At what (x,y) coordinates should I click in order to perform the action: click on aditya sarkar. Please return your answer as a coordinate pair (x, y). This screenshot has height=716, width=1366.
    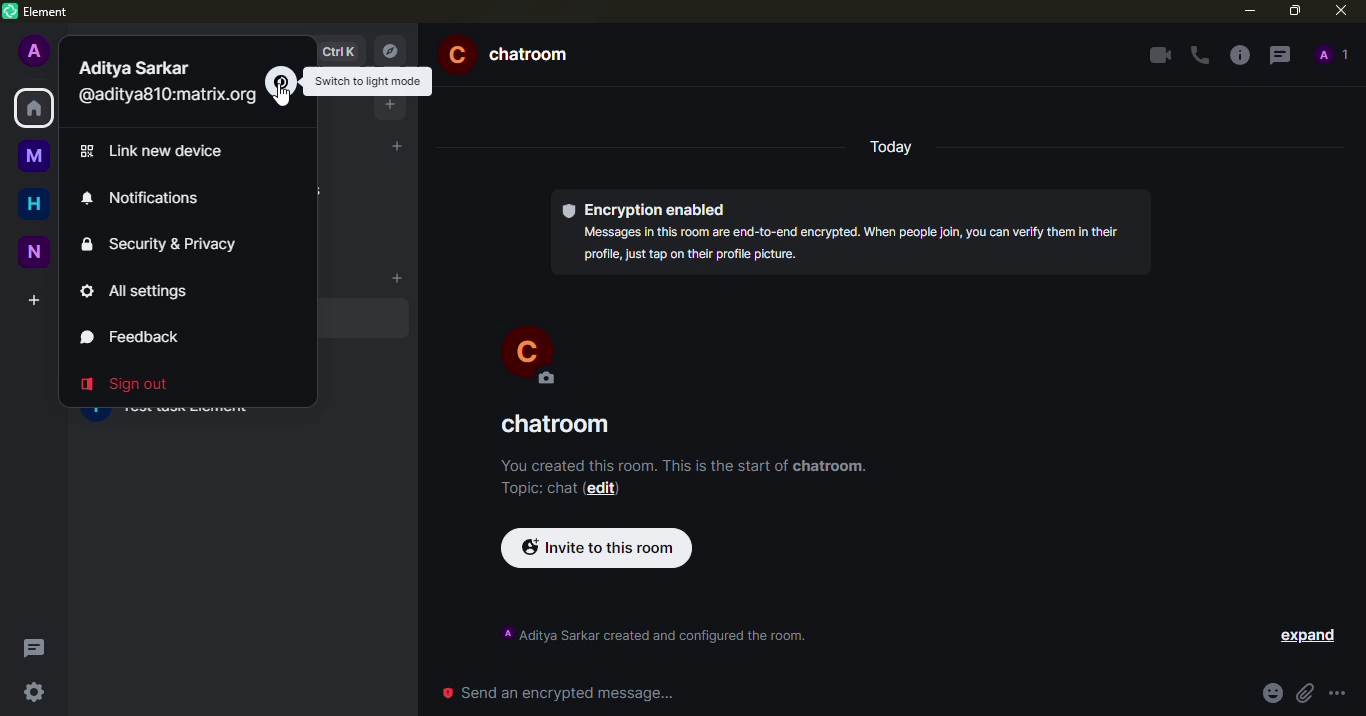
    Looking at the image, I should click on (137, 68).